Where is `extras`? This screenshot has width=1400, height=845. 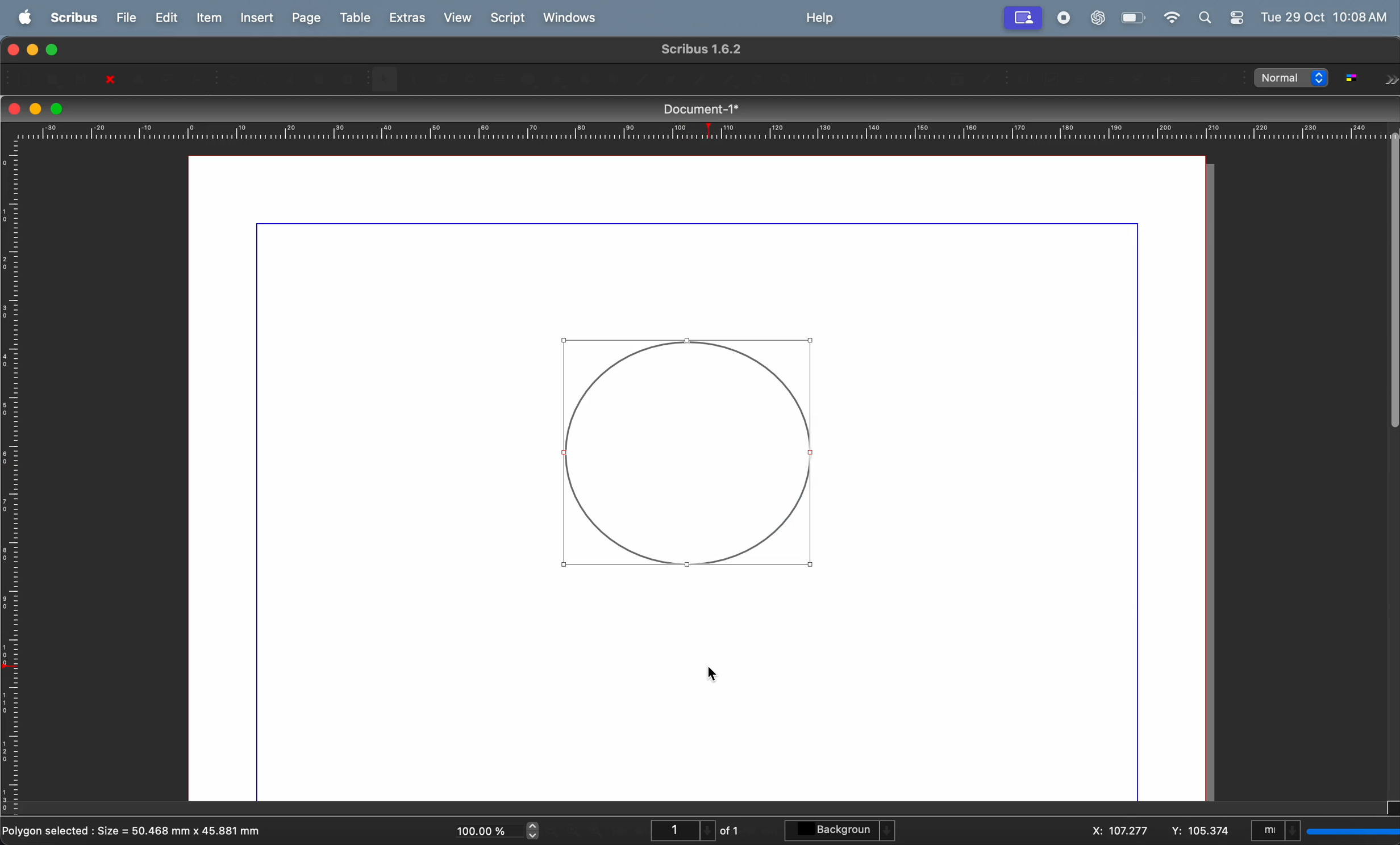
extras is located at coordinates (408, 16).